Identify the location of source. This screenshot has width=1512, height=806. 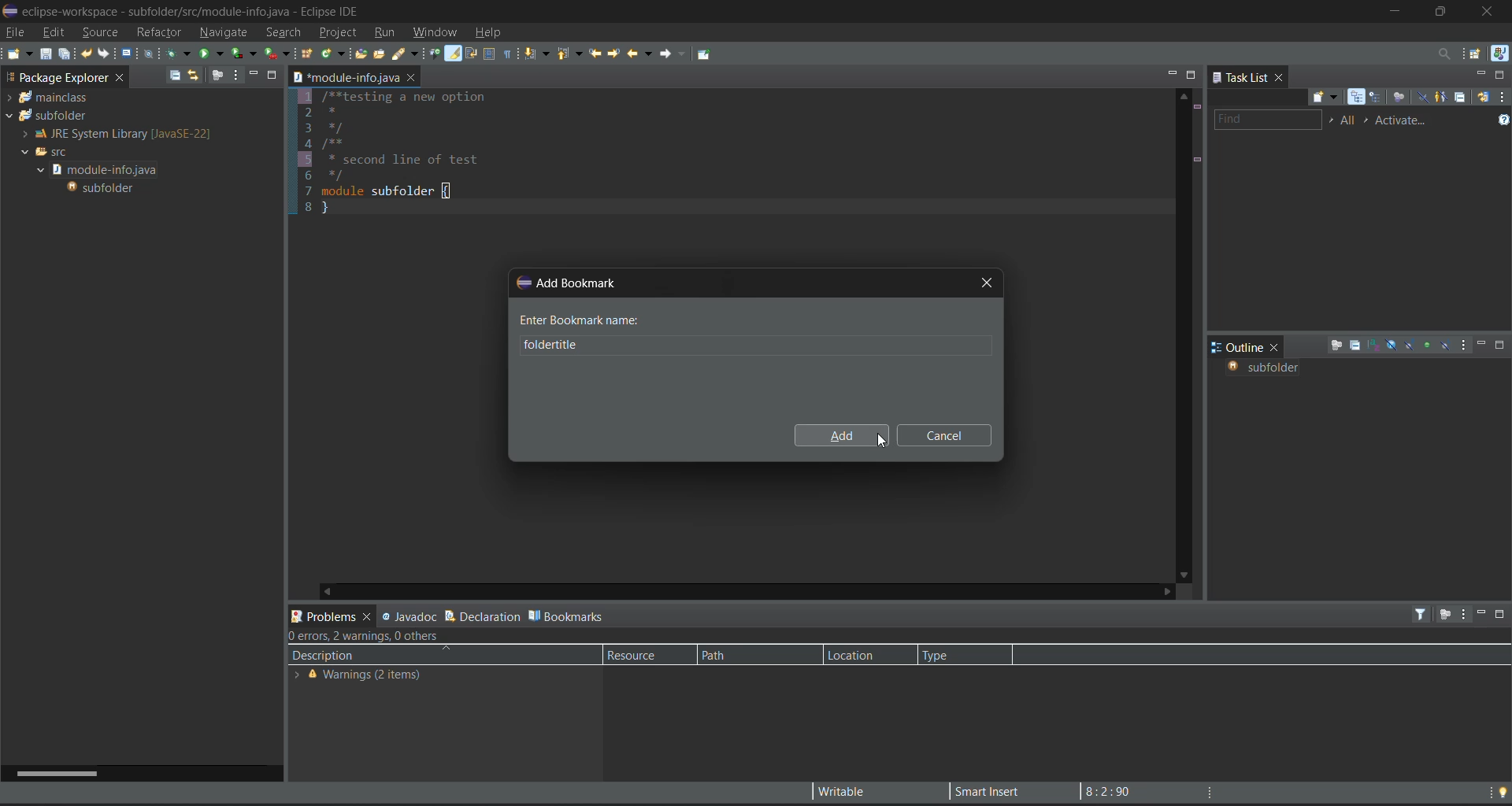
(95, 31).